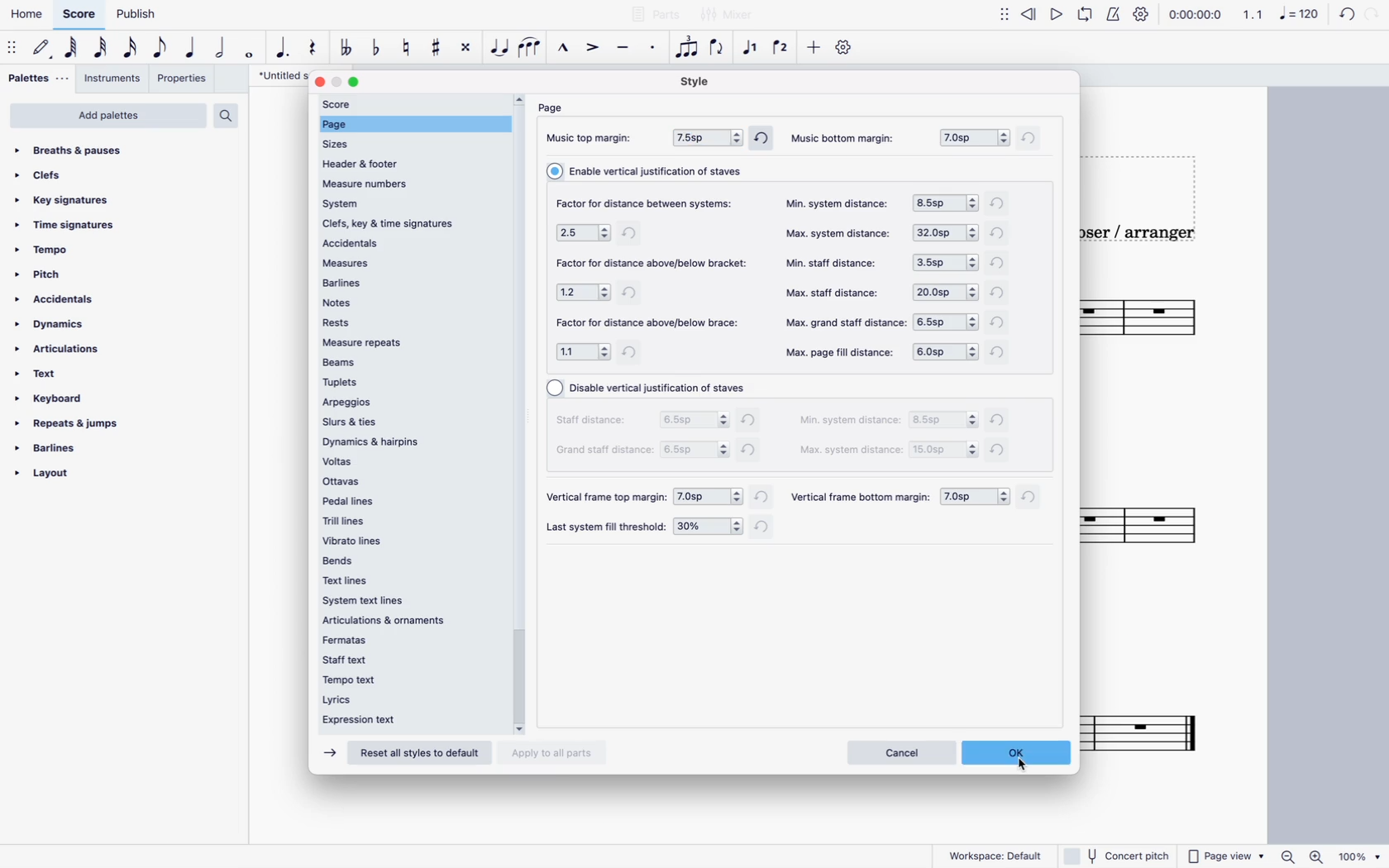  What do you see at coordinates (327, 753) in the screenshot?
I see `forward` at bounding box center [327, 753].